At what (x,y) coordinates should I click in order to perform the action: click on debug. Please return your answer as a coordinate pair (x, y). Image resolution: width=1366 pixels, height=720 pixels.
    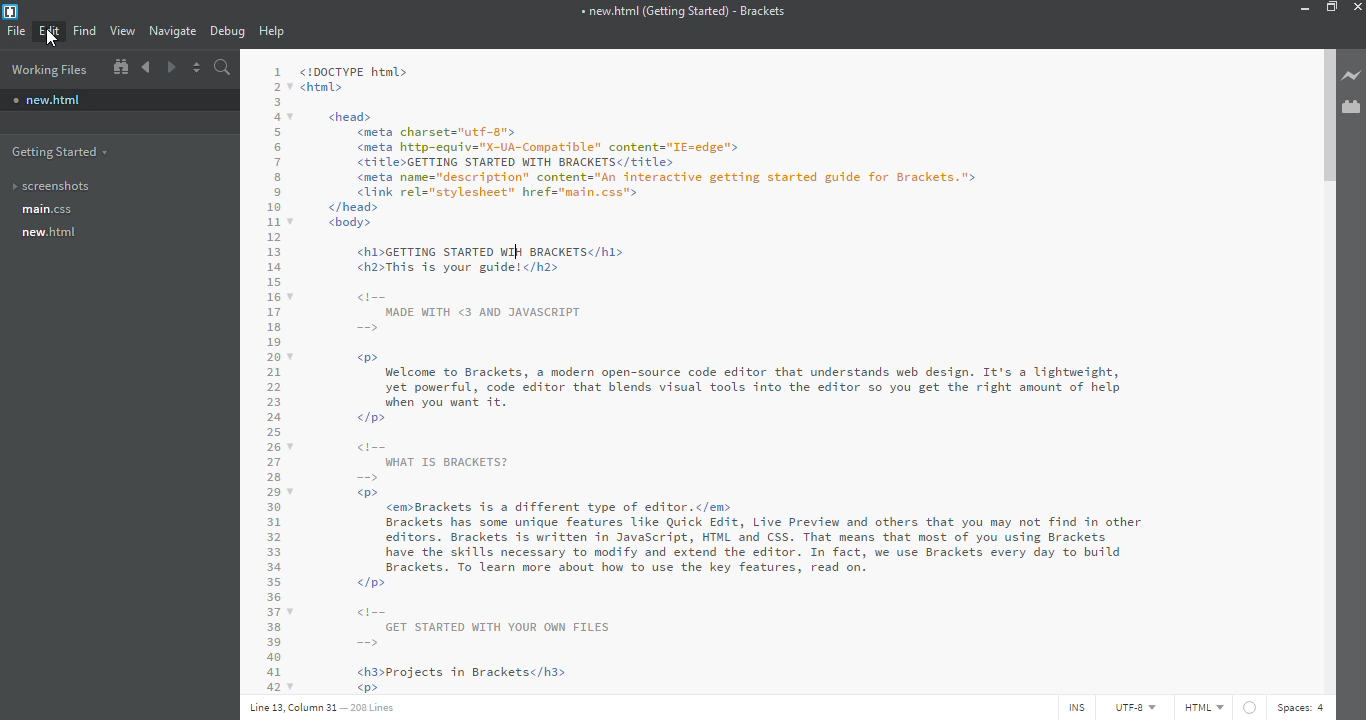
    Looking at the image, I should click on (227, 31).